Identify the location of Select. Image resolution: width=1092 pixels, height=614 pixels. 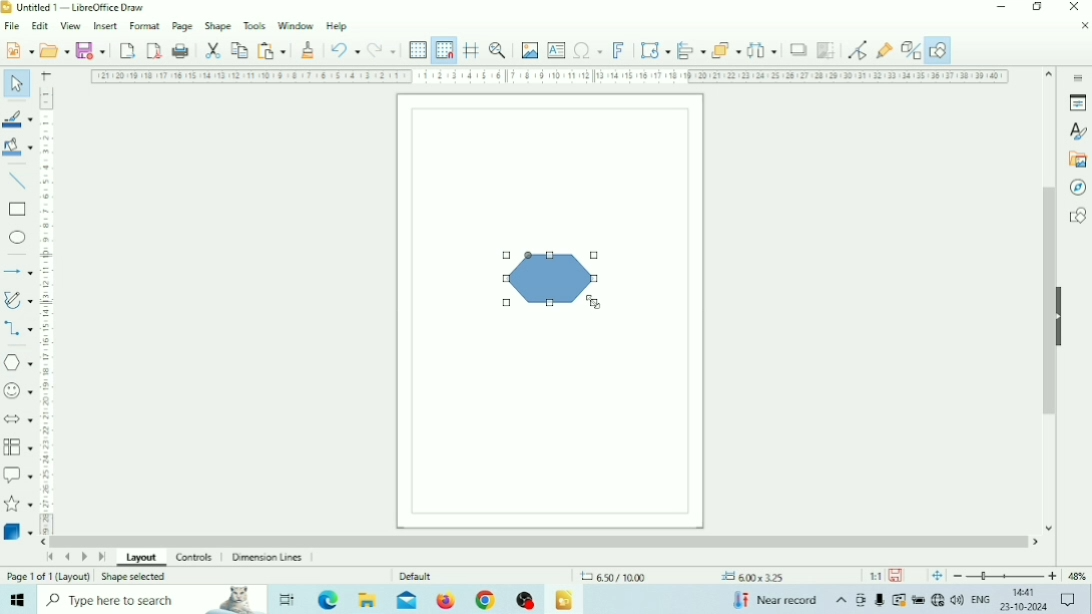
(17, 82).